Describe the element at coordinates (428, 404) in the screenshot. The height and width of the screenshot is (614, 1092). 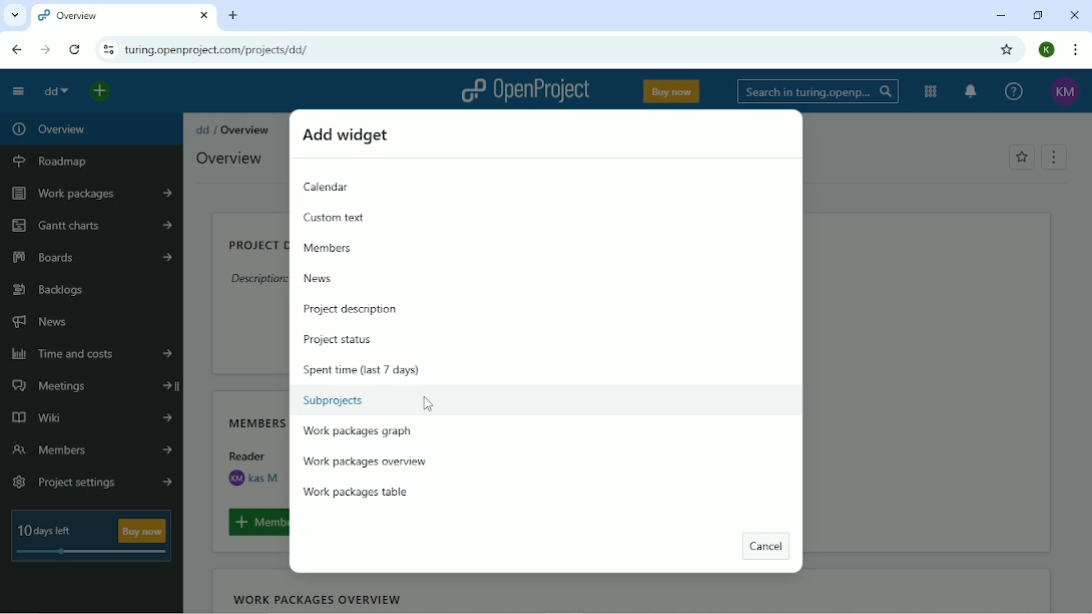
I see `Cursor` at that location.